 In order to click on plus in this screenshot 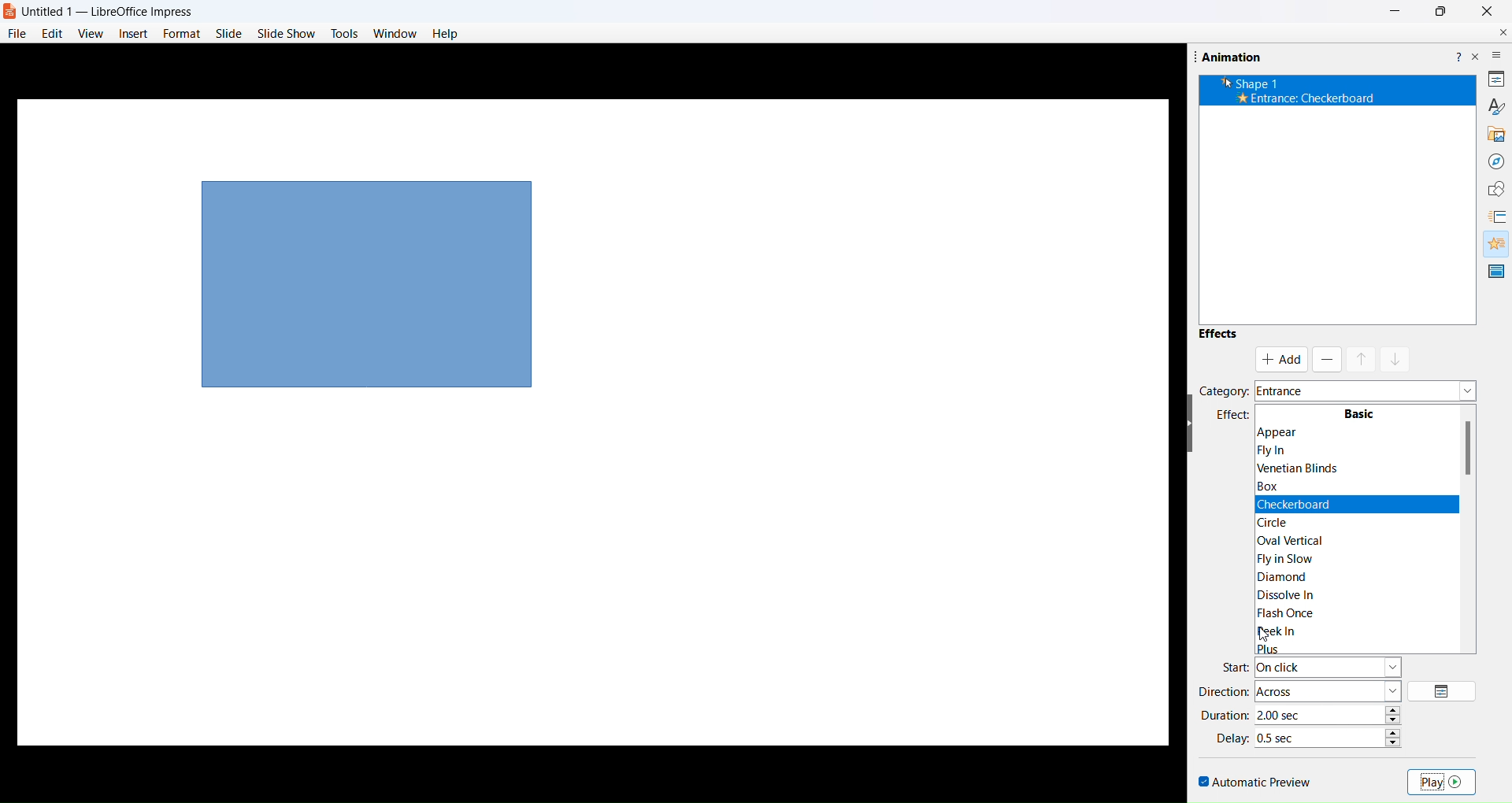, I will do `click(1277, 649)`.